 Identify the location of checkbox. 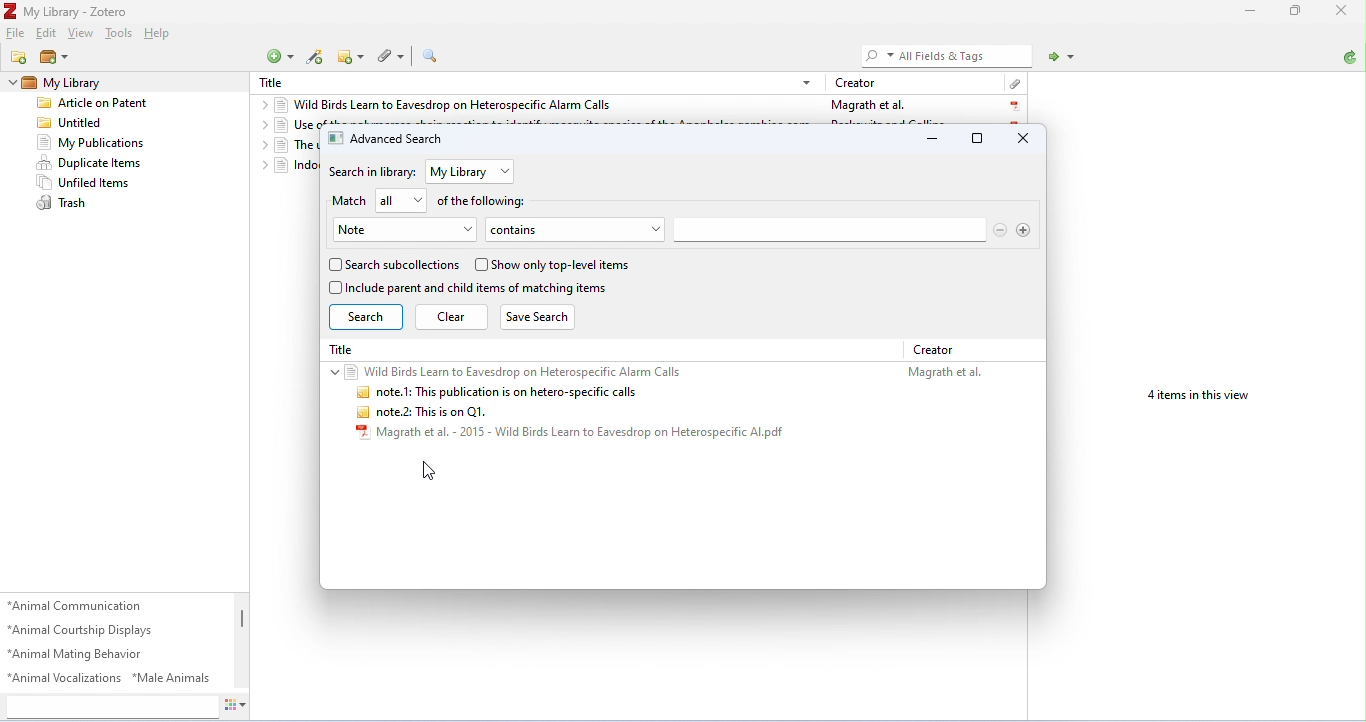
(480, 264).